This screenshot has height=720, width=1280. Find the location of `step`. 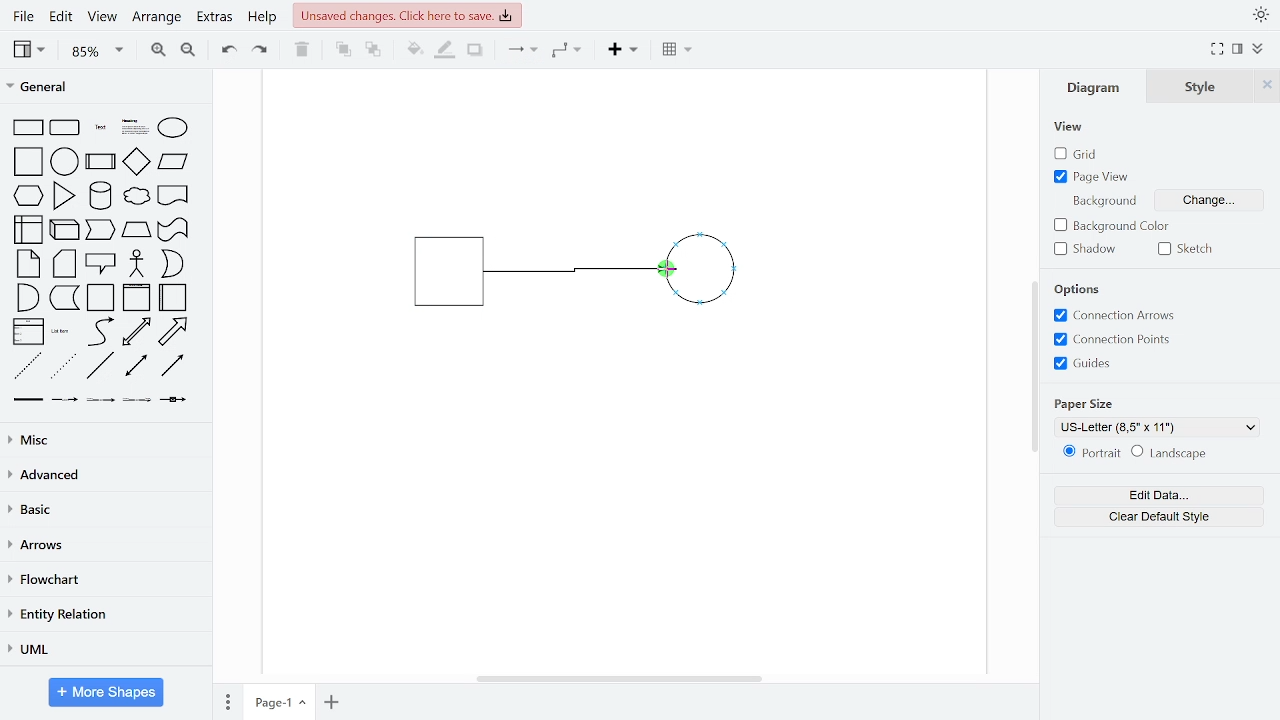

step is located at coordinates (99, 230).